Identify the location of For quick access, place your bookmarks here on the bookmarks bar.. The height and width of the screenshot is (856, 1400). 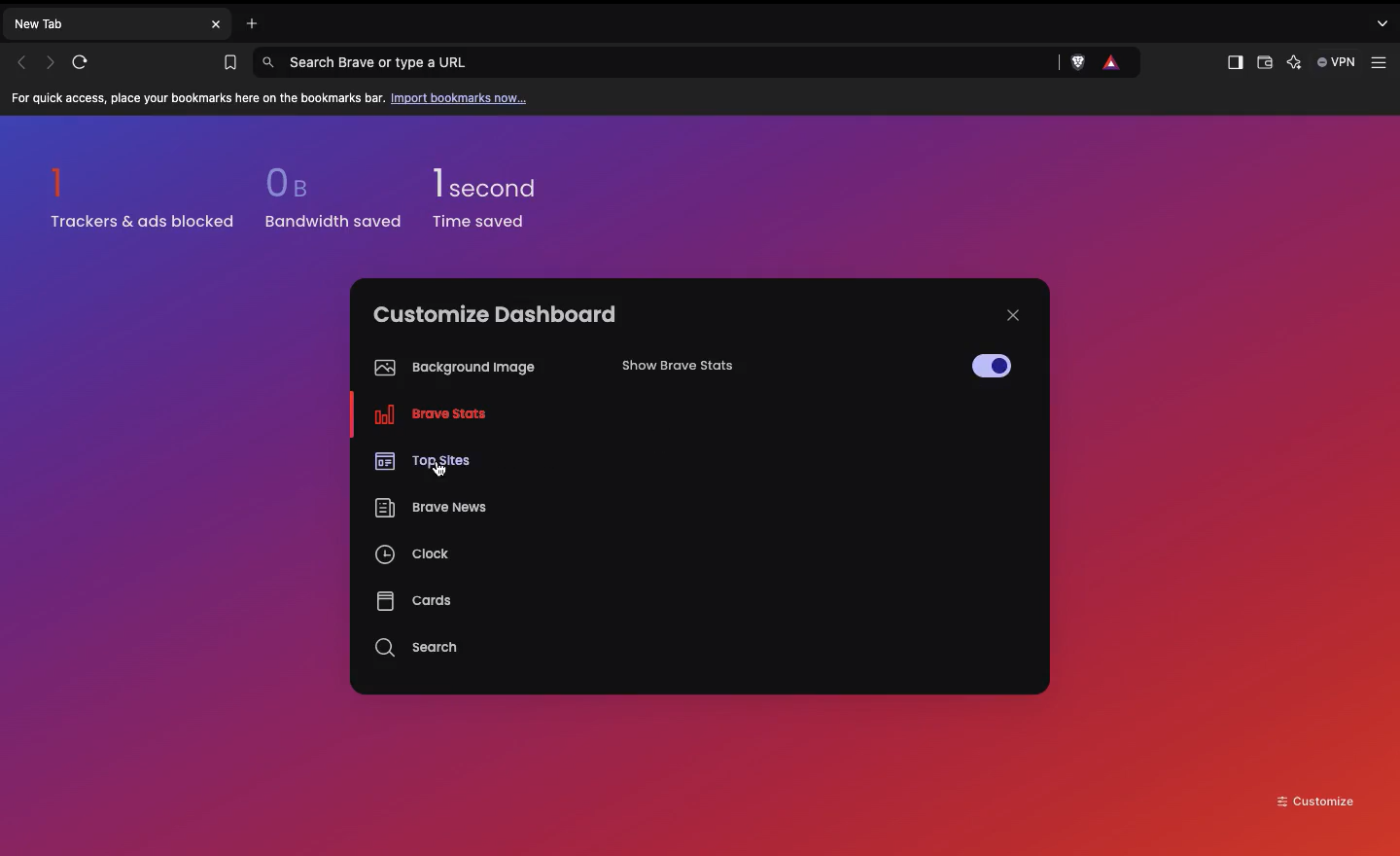
(198, 99).